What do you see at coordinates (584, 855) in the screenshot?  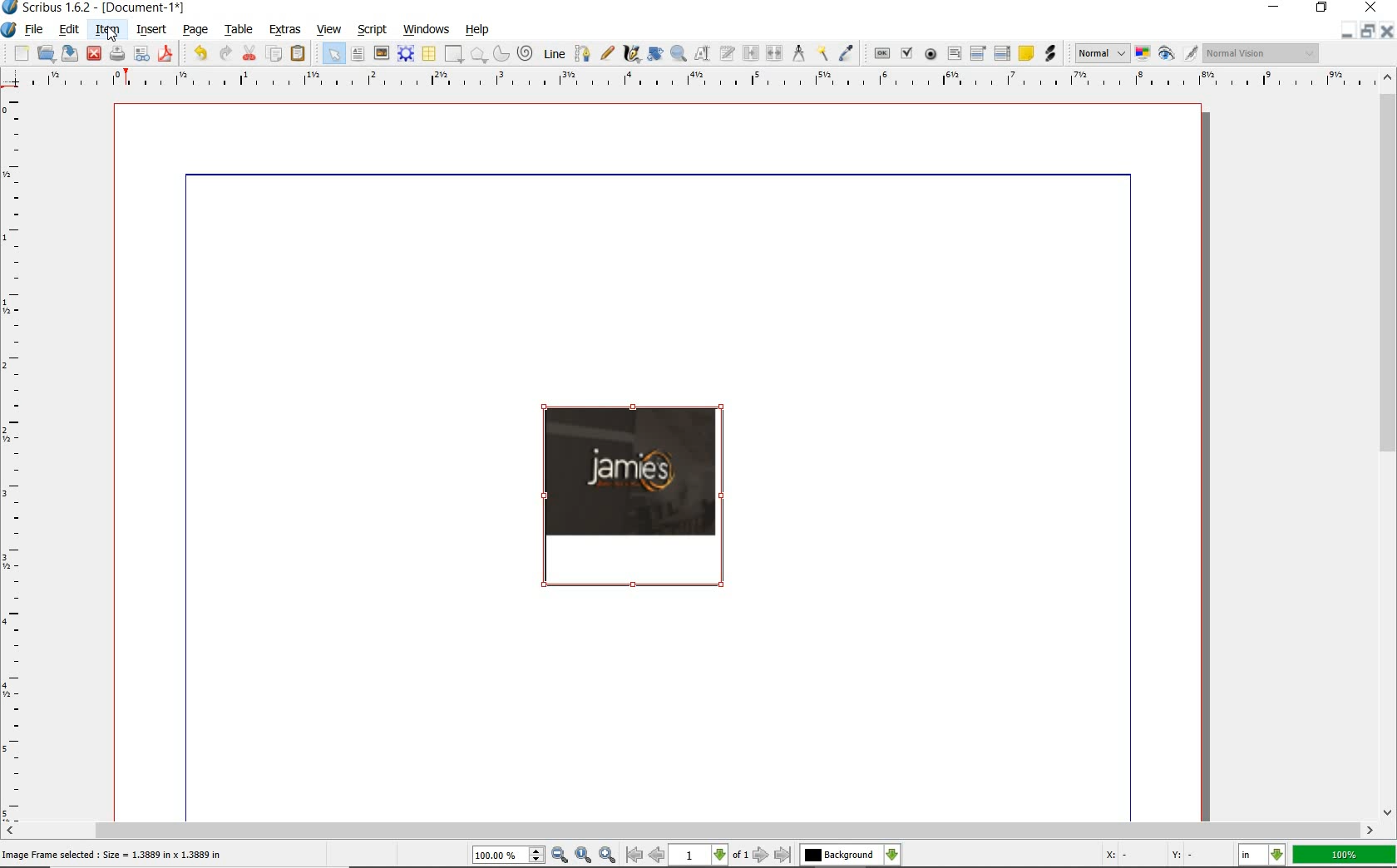 I see `Zoom to 100%` at bounding box center [584, 855].